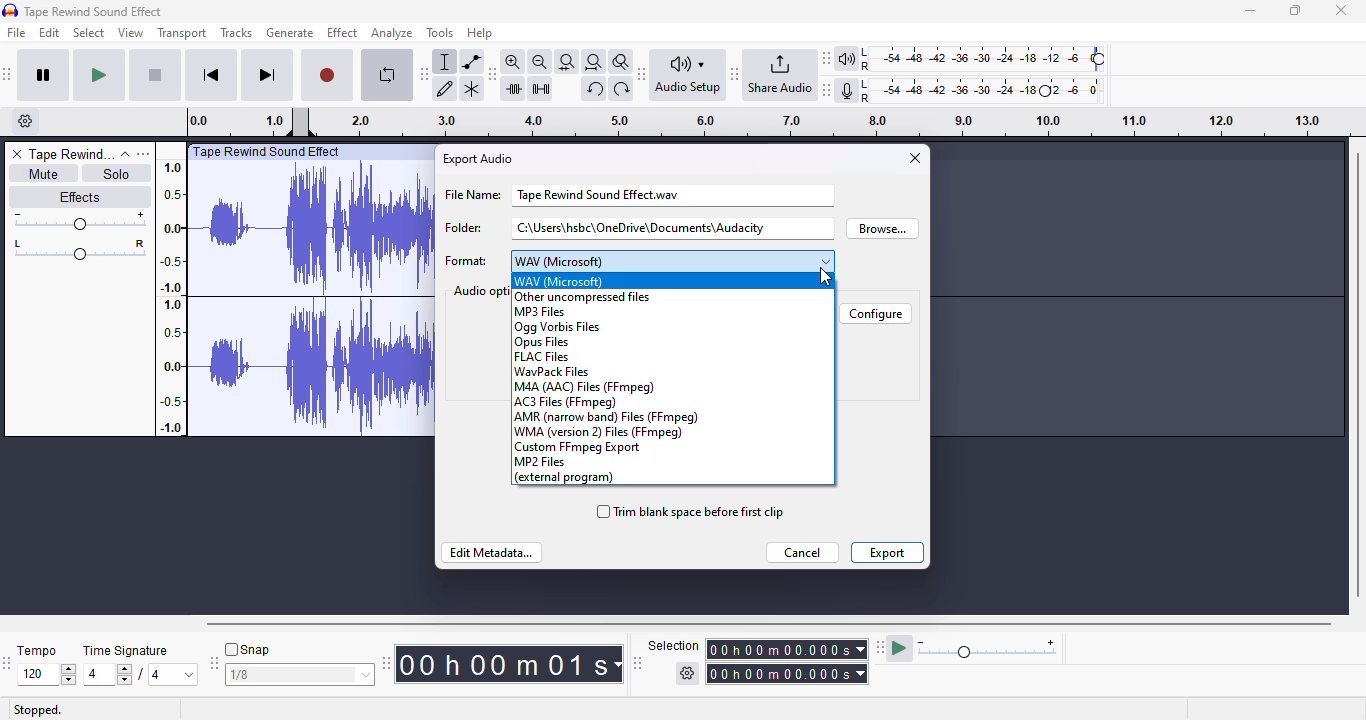 The height and width of the screenshot is (720, 1366). I want to click on audacity edit toolbar, so click(492, 74).